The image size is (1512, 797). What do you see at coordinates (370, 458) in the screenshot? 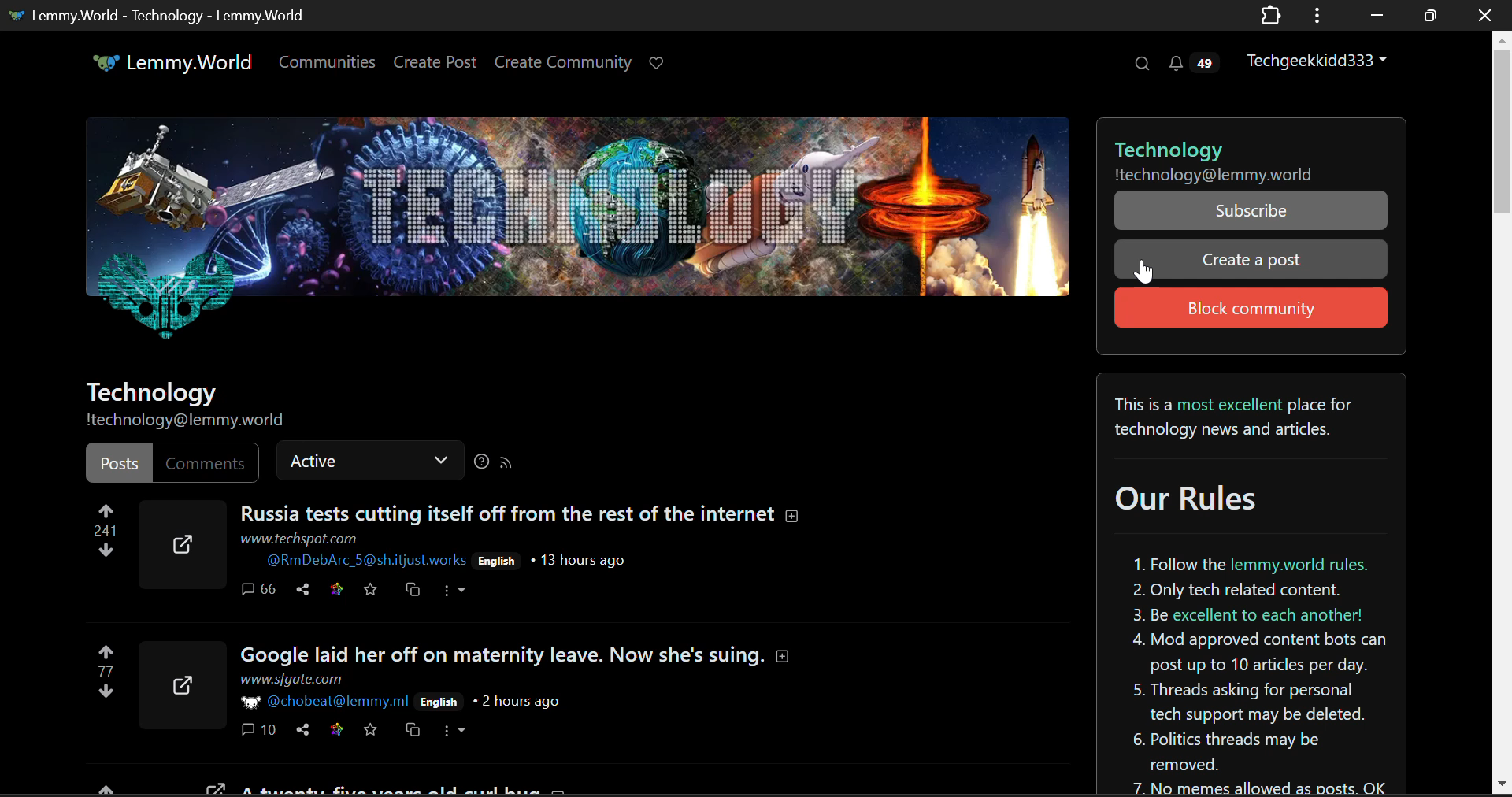
I see `Active` at bounding box center [370, 458].